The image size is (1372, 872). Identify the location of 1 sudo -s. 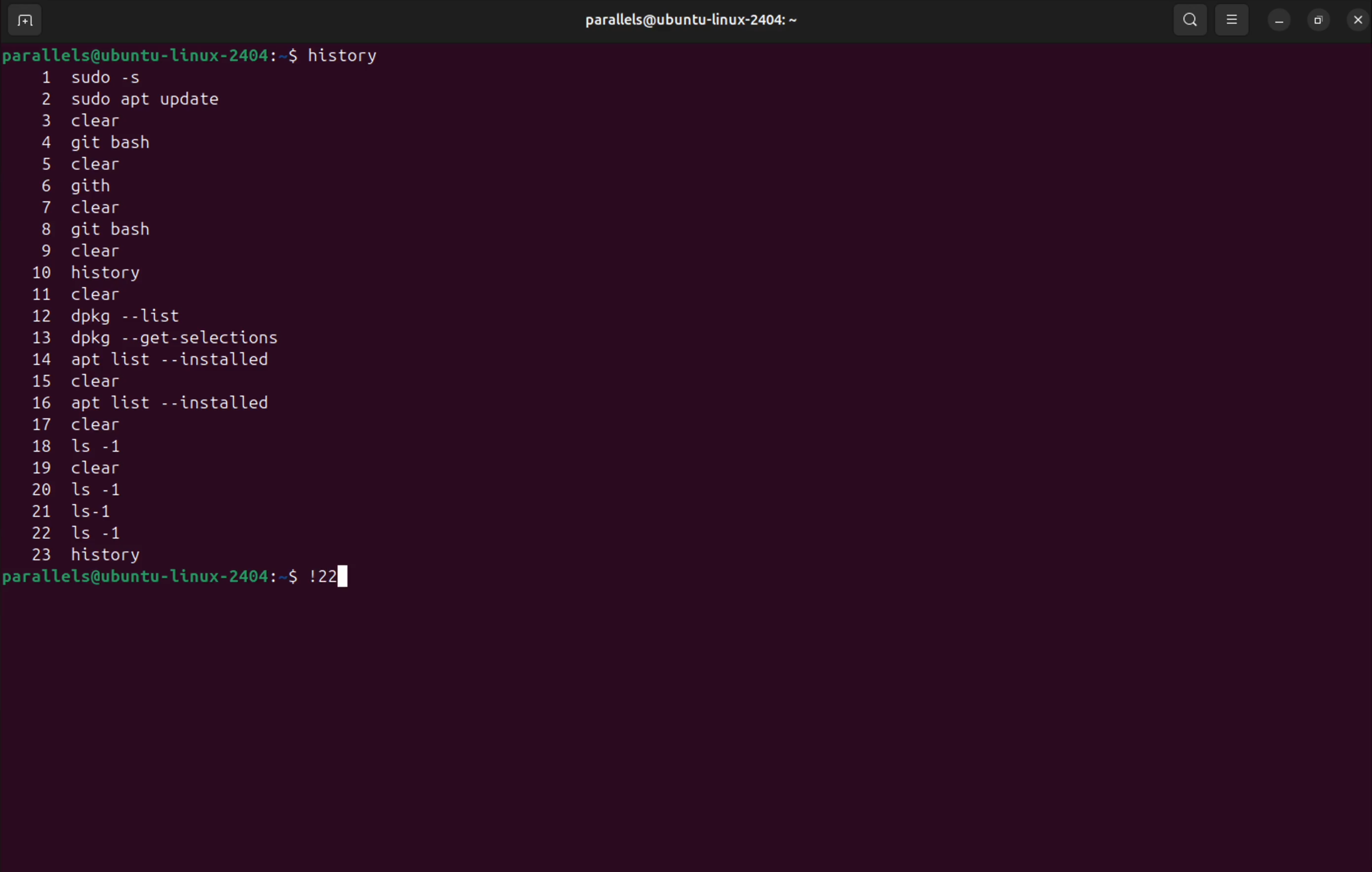
(104, 76).